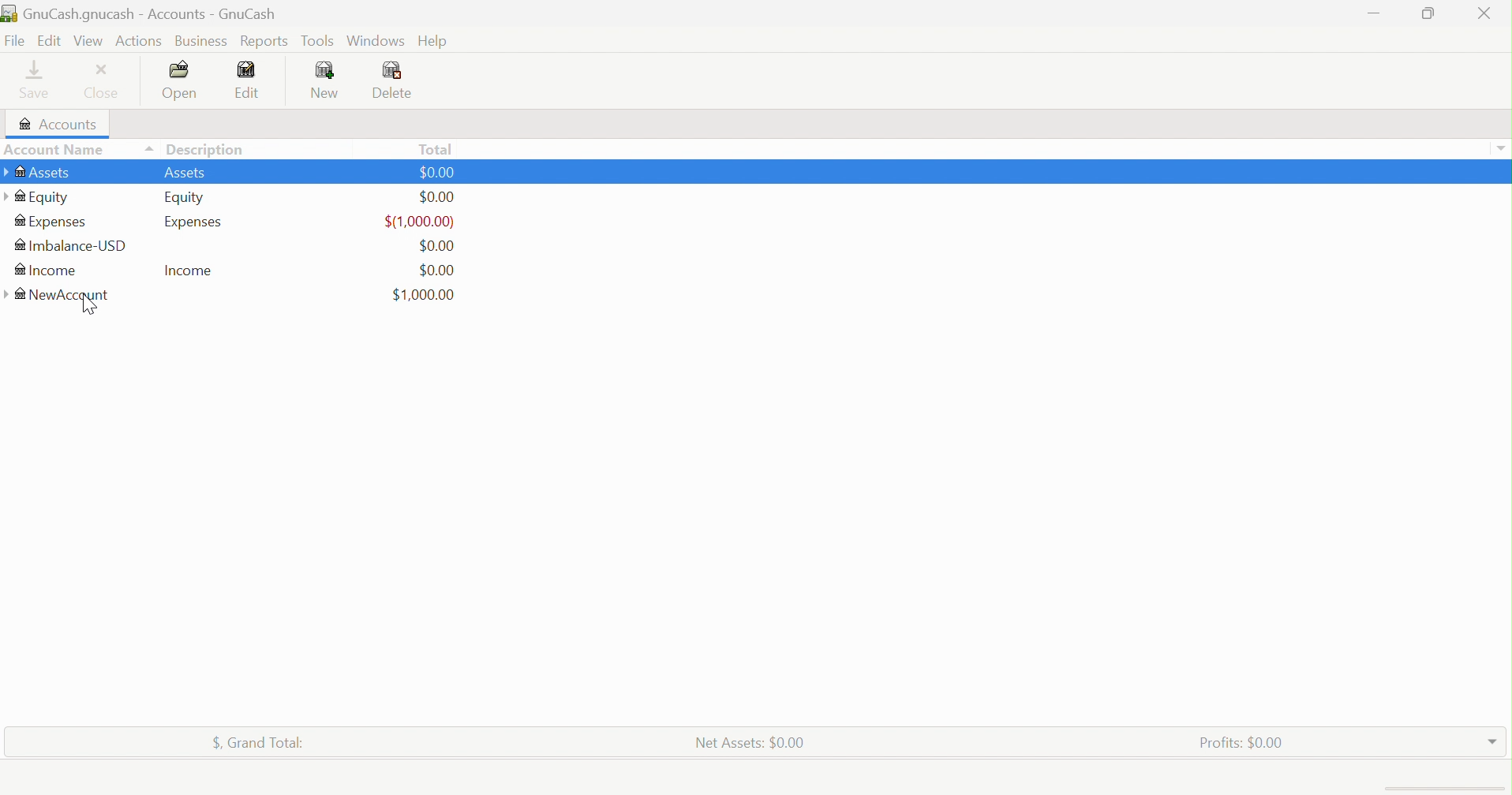 This screenshot has height=795, width=1512. What do you see at coordinates (185, 198) in the screenshot?
I see `Equity` at bounding box center [185, 198].